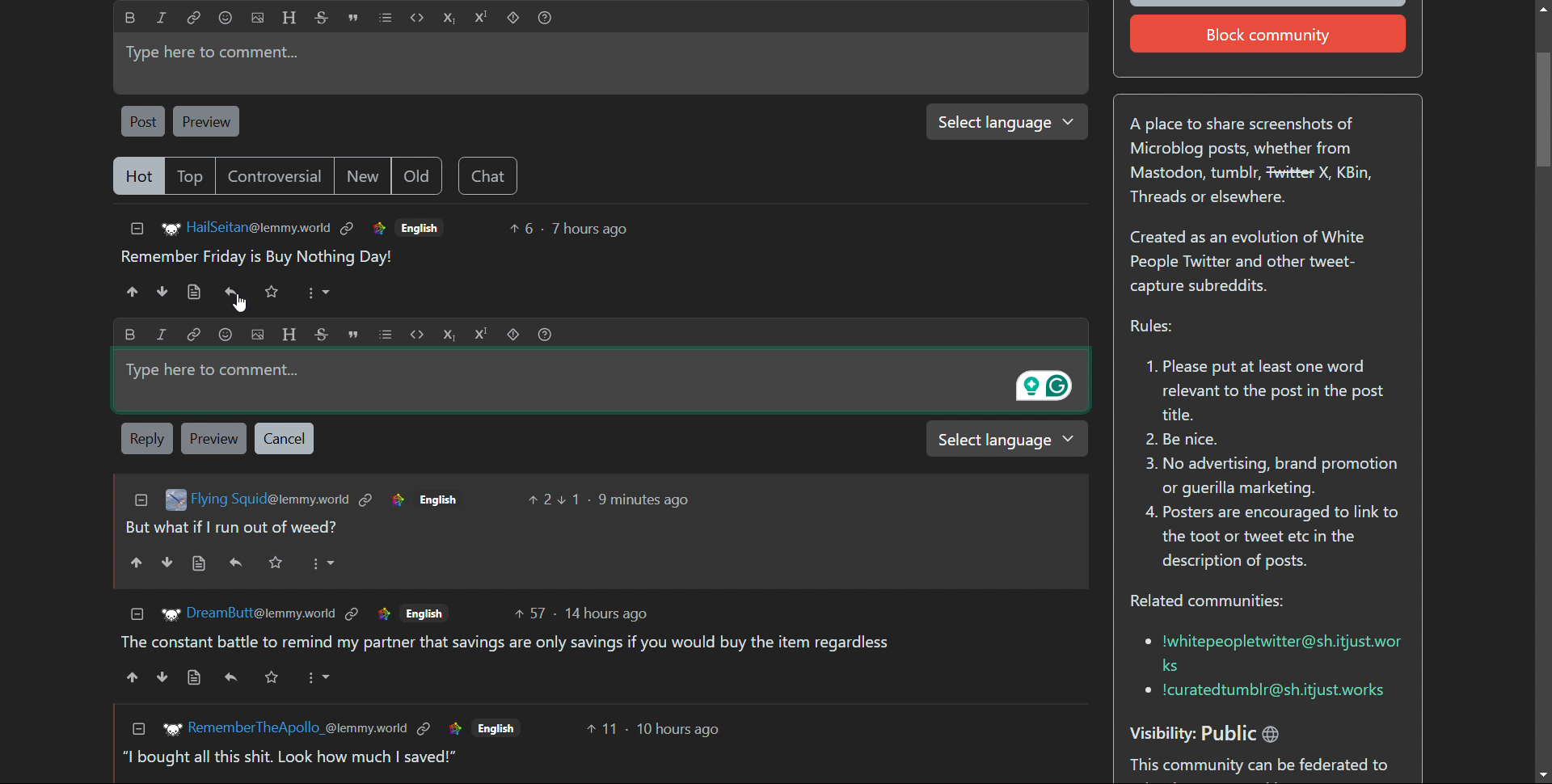 The height and width of the screenshot is (784, 1552). Describe the element at coordinates (258, 18) in the screenshot. I see `upload image` at that location.